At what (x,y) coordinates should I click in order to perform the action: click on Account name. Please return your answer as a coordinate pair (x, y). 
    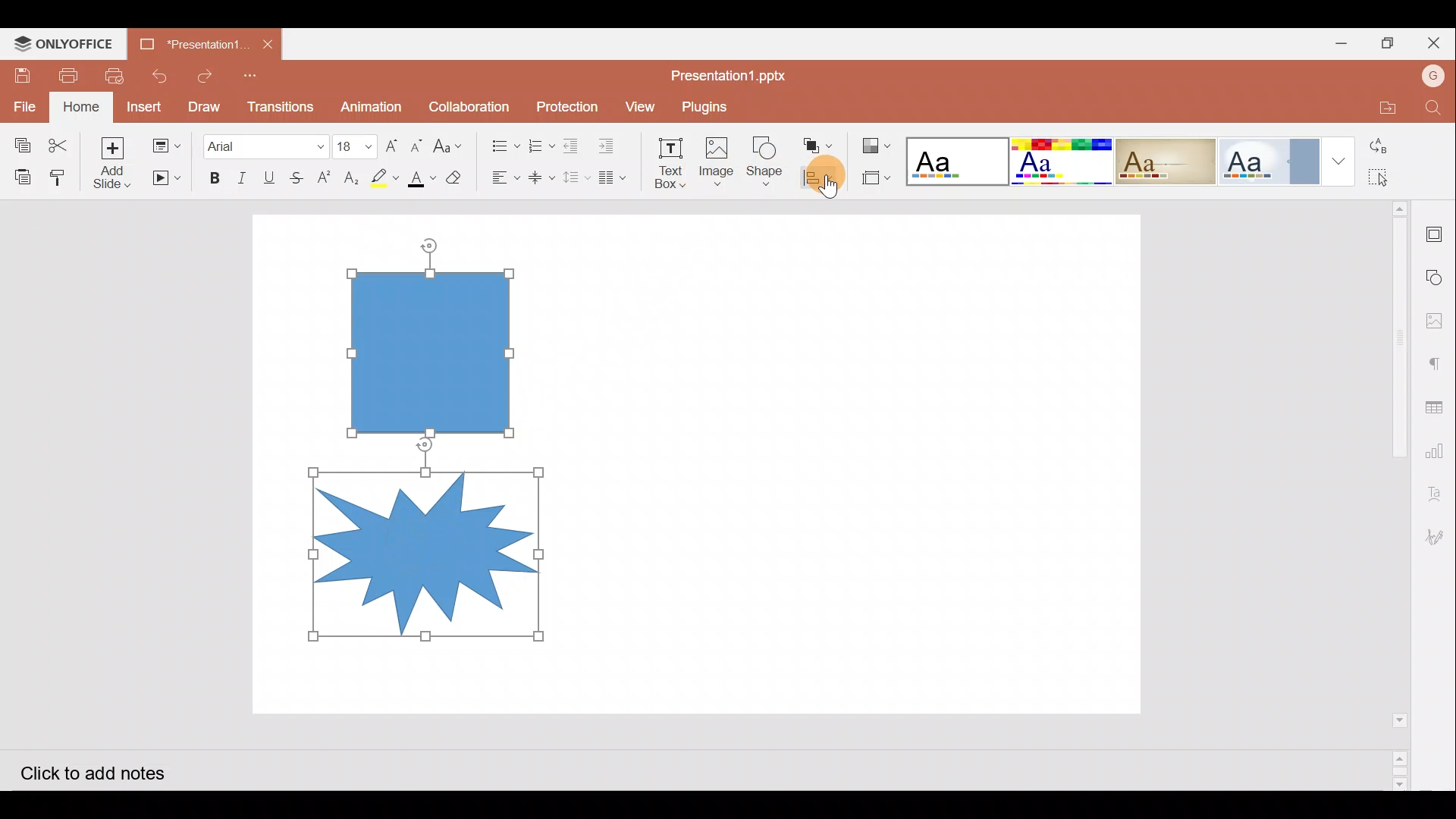
    Looking at the image, I should click on (1433, 78).